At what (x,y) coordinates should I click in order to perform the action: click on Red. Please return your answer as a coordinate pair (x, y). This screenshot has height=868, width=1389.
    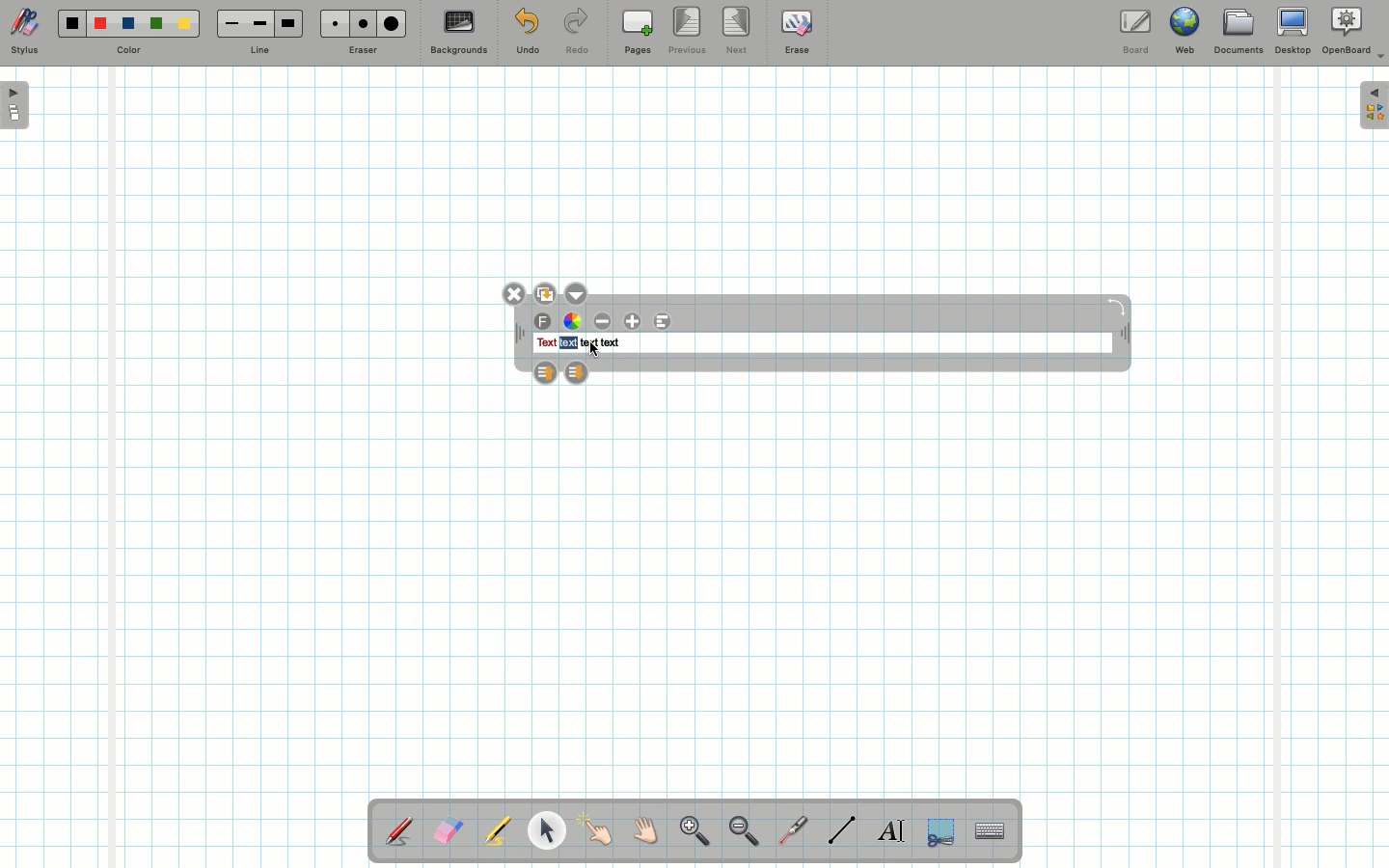
    Looking at the image, I should click on (101, 24).